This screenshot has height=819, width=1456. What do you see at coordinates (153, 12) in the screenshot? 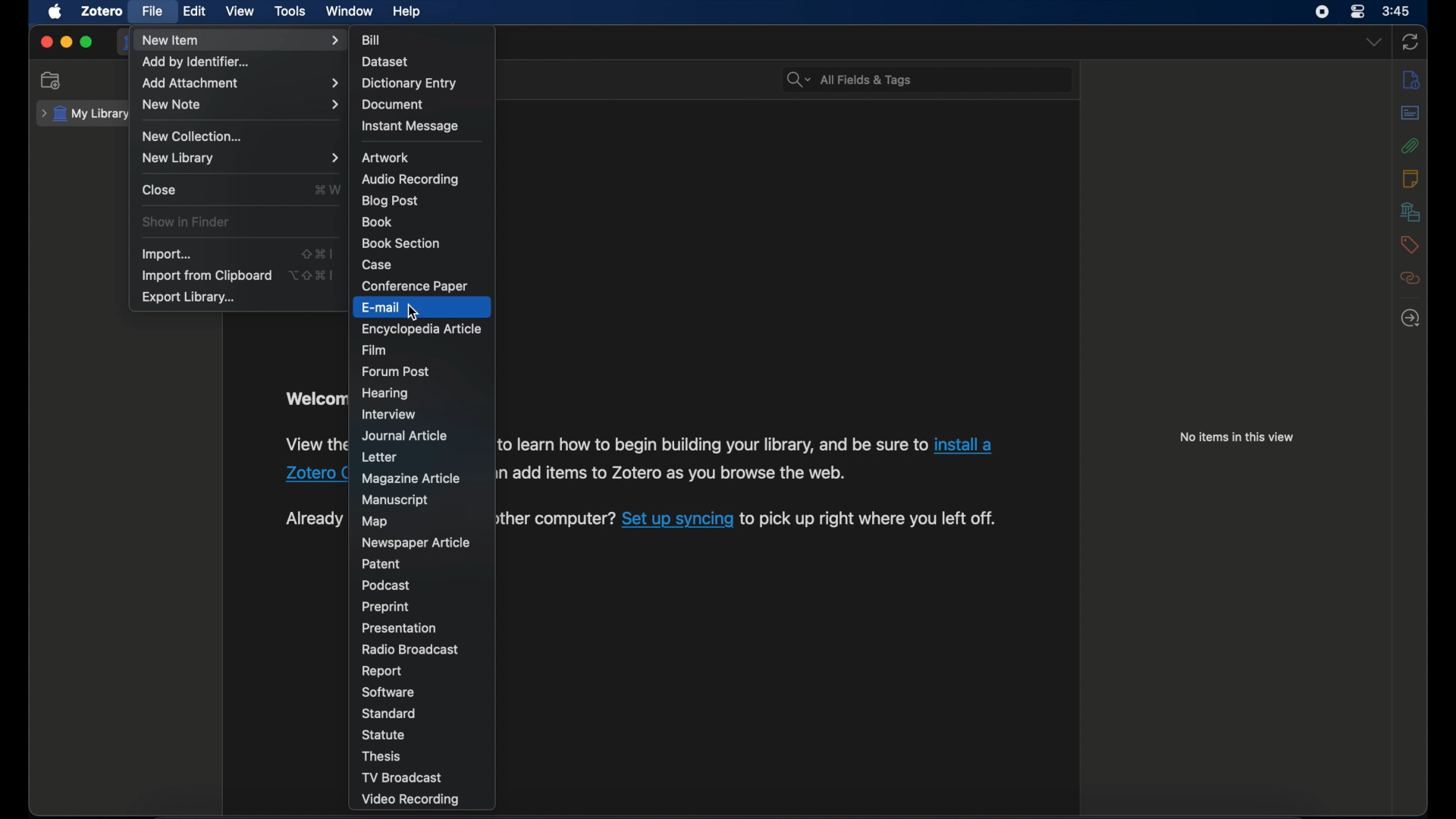
I see `file` at bounding box center [153, 12].